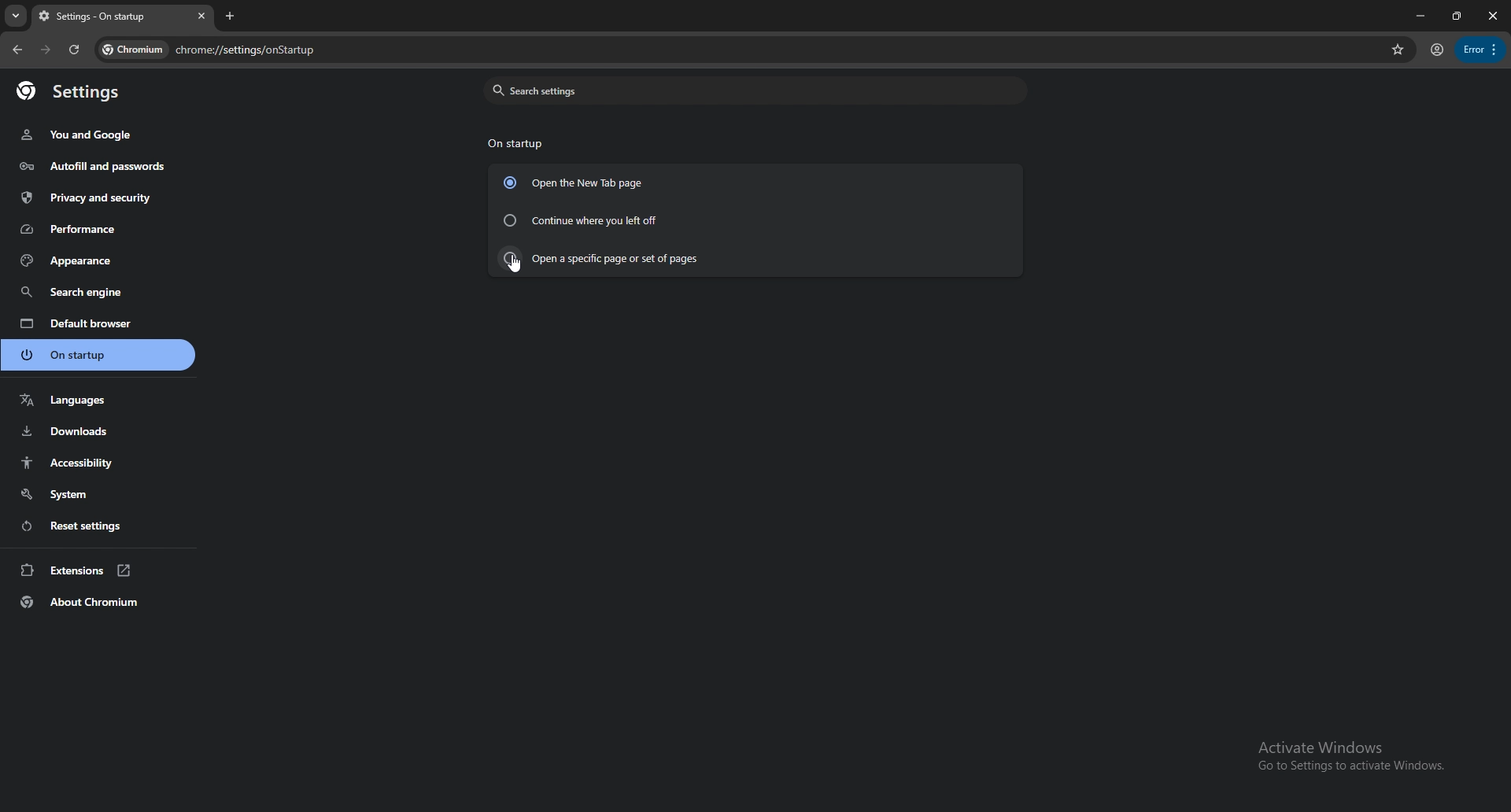 Image resolution: width=1511 pixels, height=812 pixels. I want to click on appearance, so click(100, 260).